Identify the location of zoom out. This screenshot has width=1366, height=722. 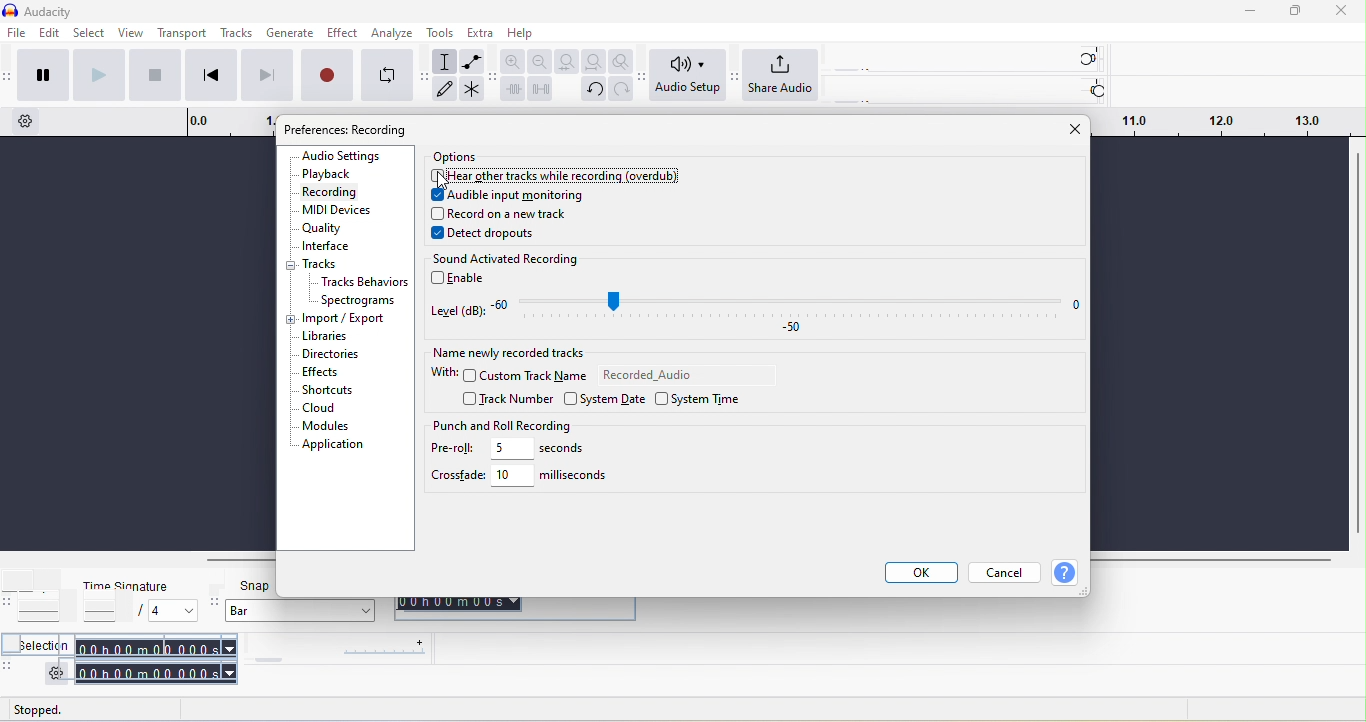
(538, 62).